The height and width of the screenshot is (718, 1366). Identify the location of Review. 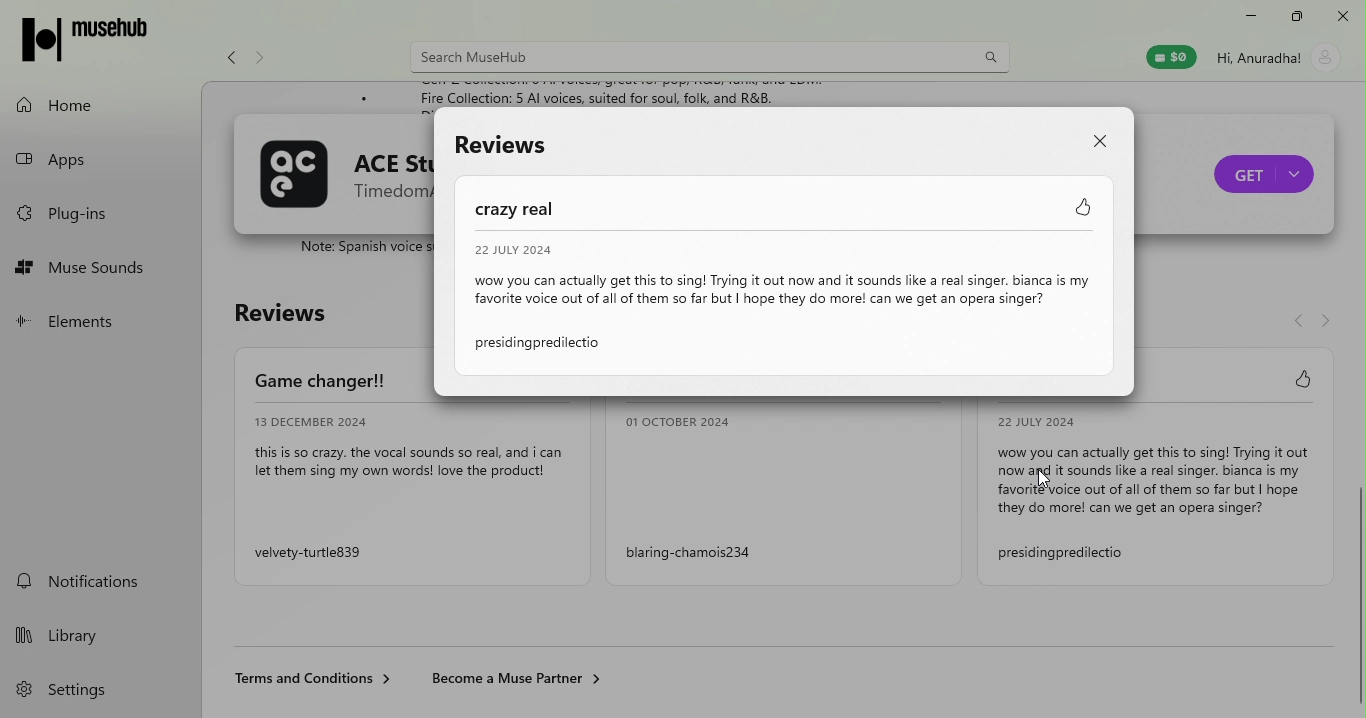
(775, 314).